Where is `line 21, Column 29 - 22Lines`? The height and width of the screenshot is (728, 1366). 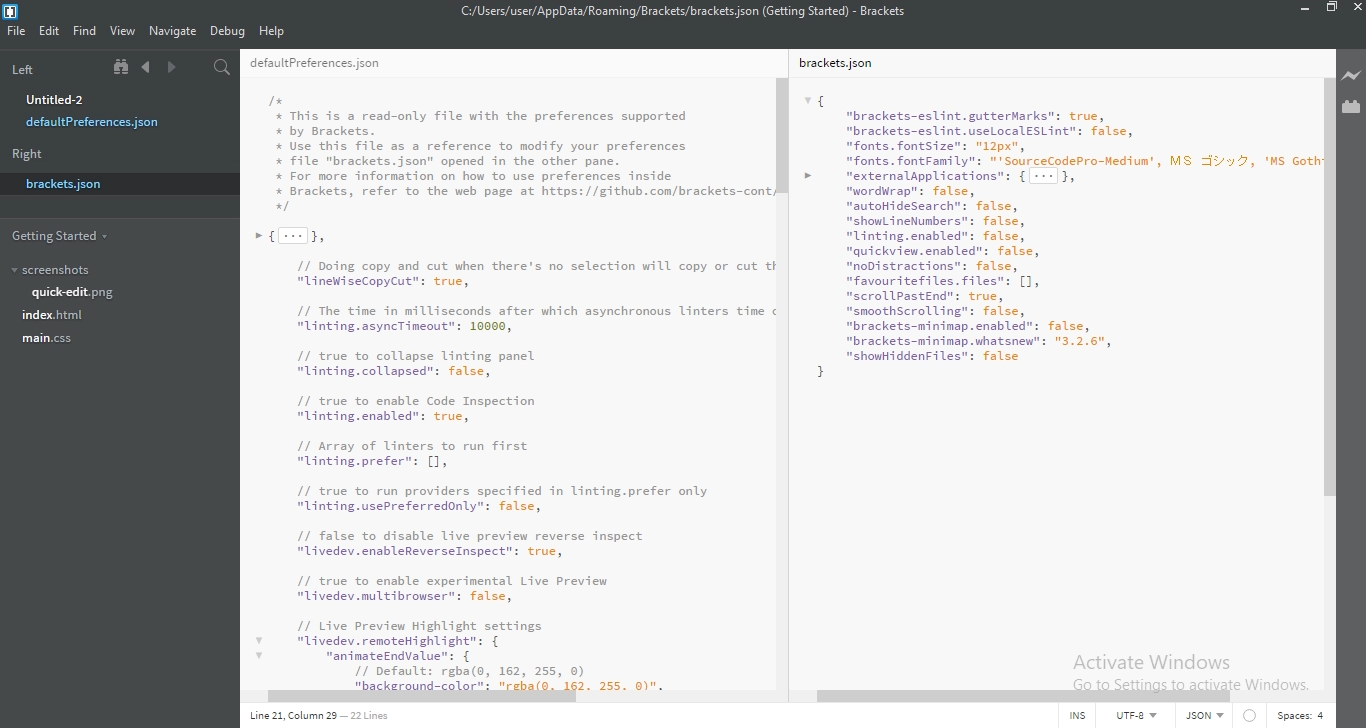 line 21, Column 29 - 22Lines is located at coordinates (325, 719).